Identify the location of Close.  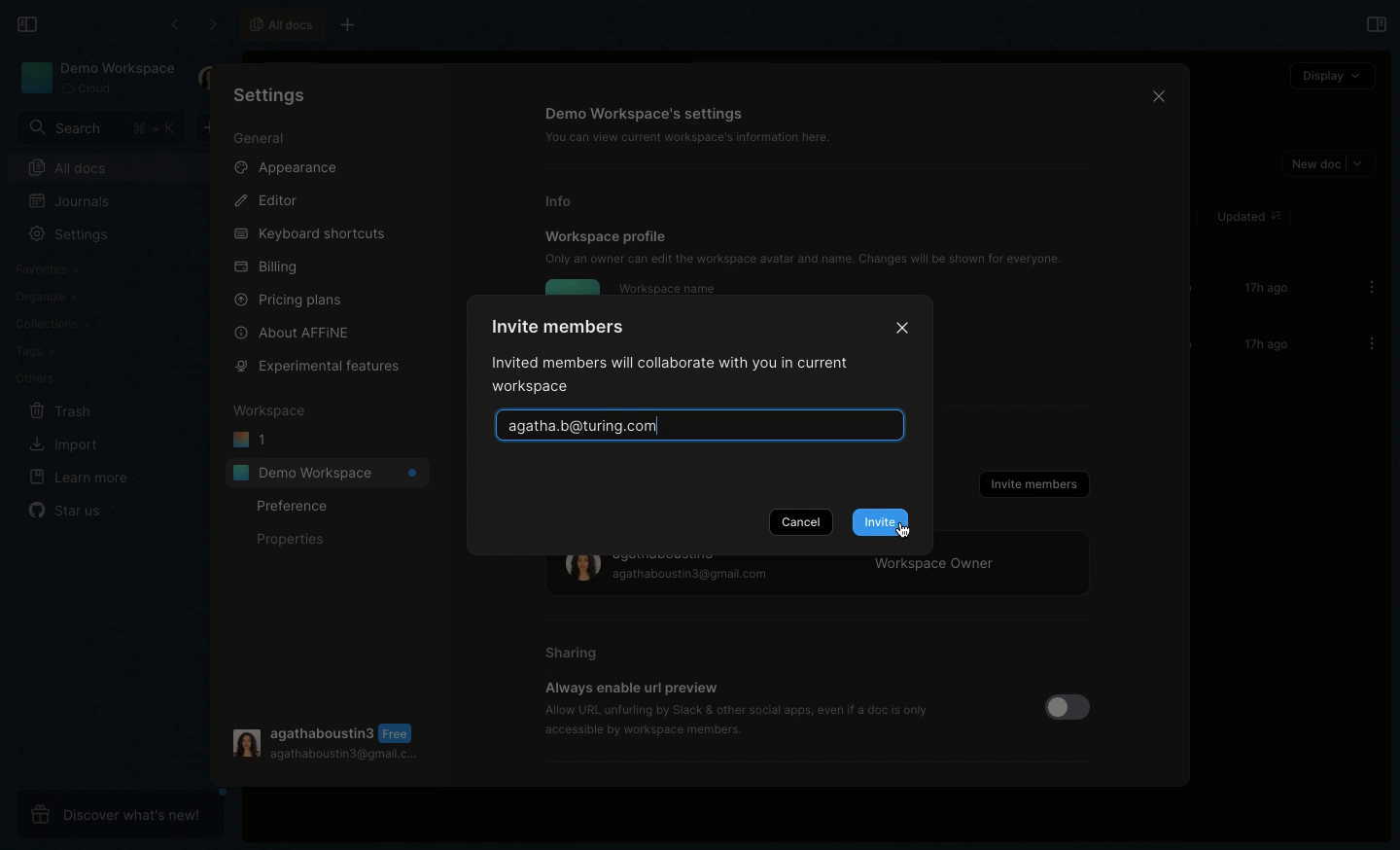
(903, 325).